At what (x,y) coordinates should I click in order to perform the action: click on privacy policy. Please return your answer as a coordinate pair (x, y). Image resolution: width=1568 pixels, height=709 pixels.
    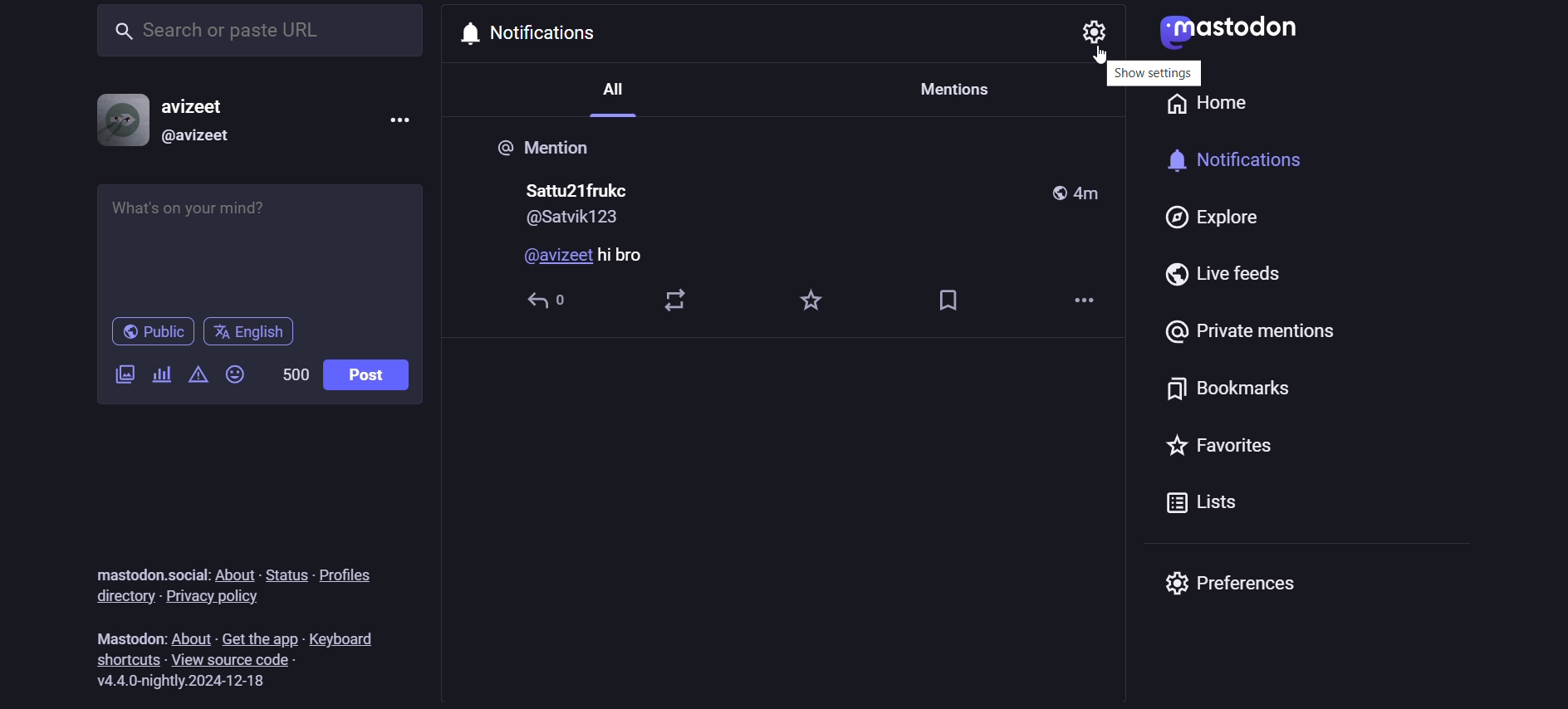
    Looking at the image, I should click on (230, 599).